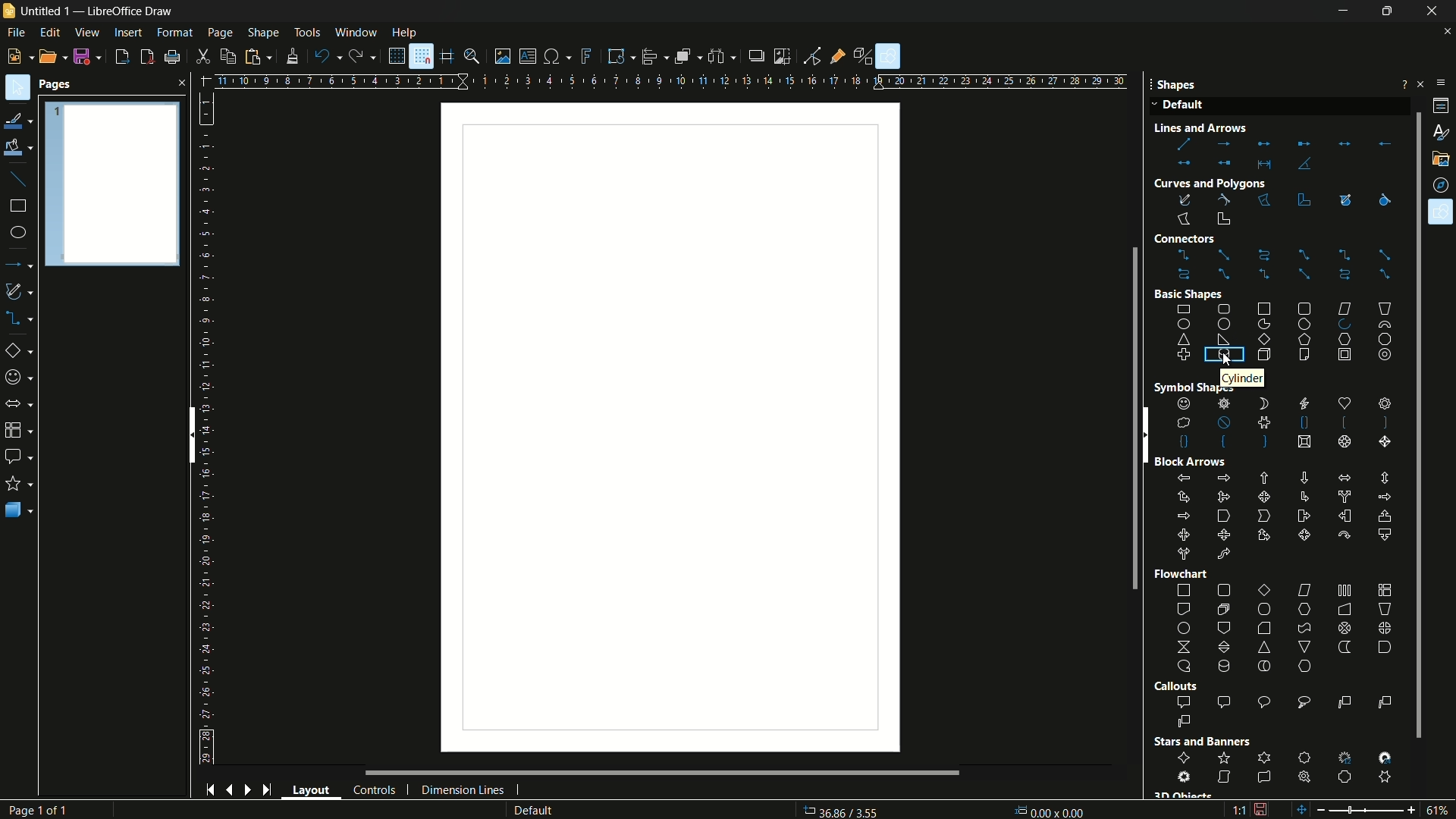 This screenshot has width=1456, height=819. I want to click on gallery, so click(1442, 159).